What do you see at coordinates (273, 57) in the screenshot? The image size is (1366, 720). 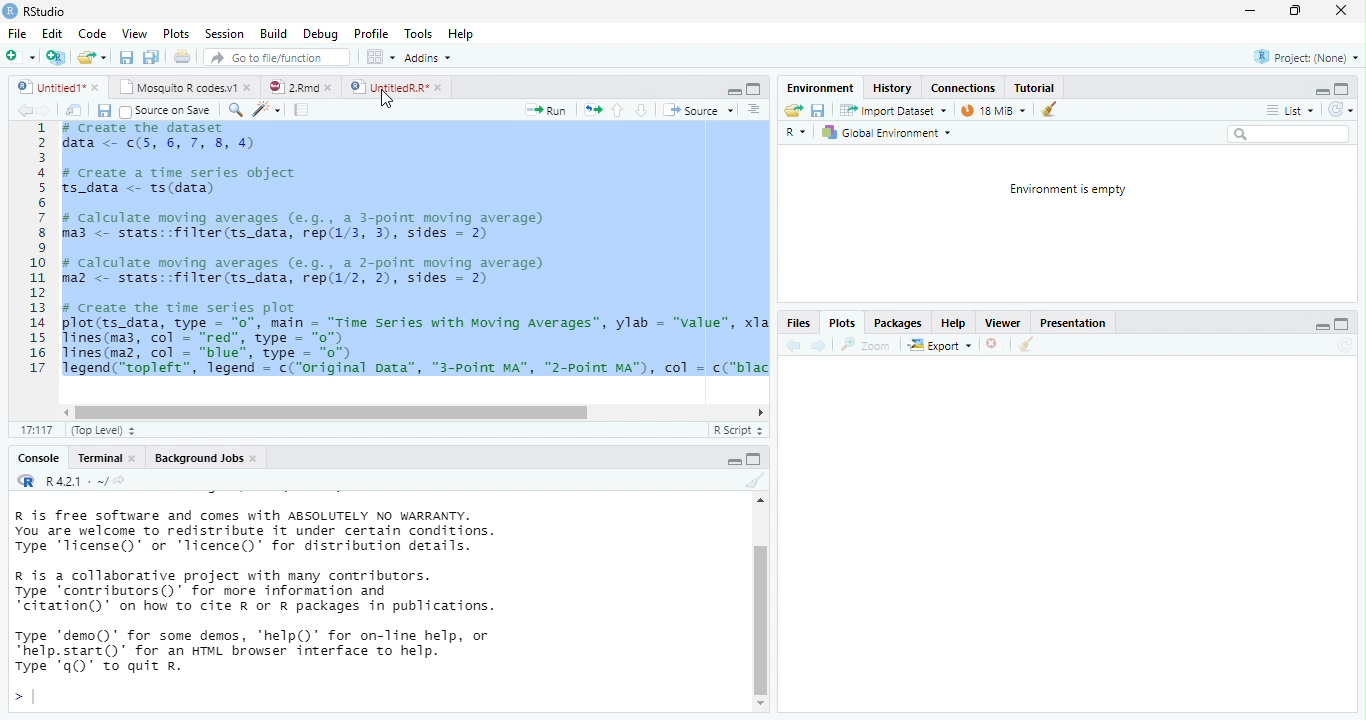 I see `Go to file/function` at bounding box center [273, 57].